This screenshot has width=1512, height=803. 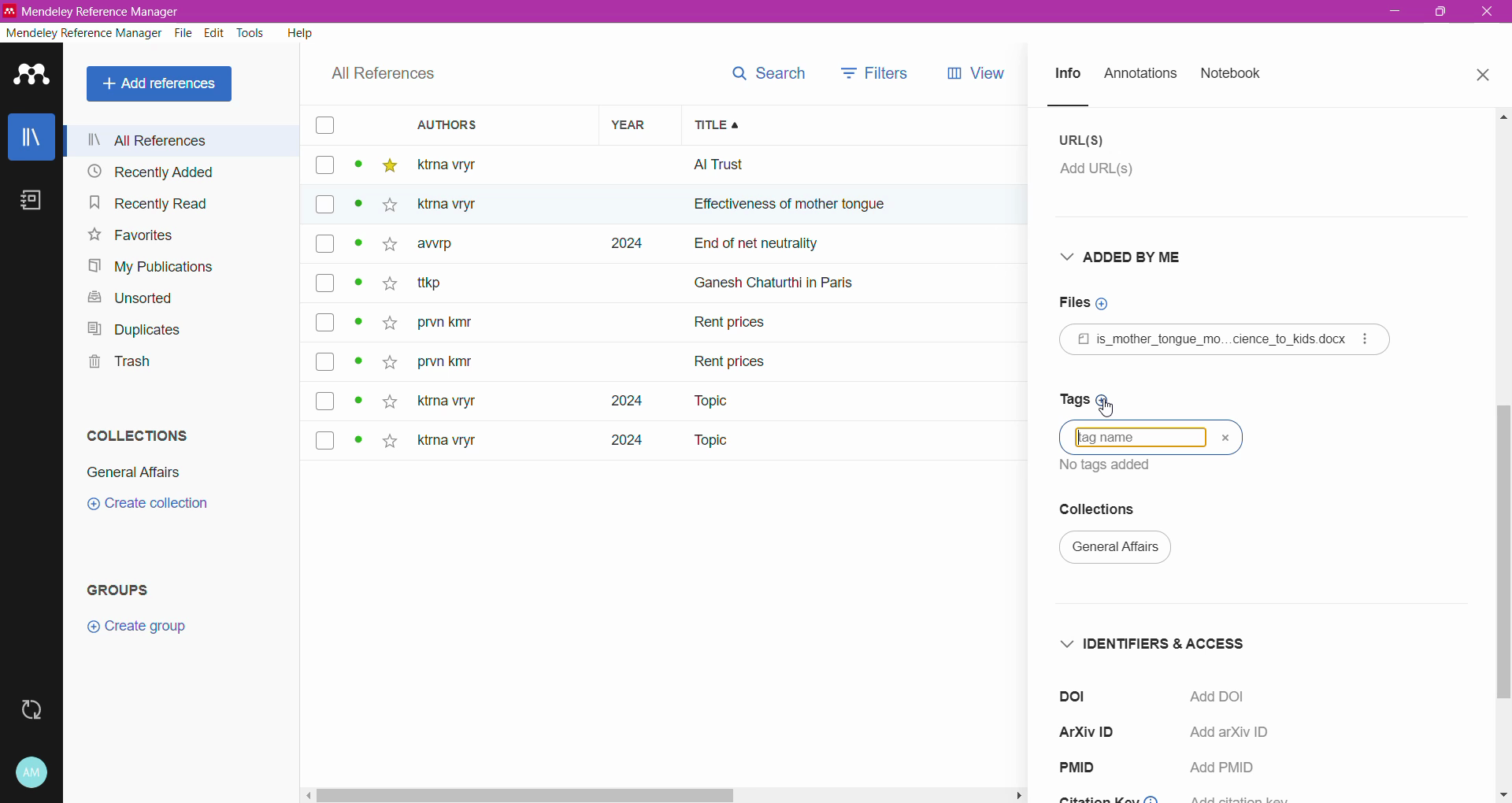 I want to click on General Affairs, so click(x=134, y=472).